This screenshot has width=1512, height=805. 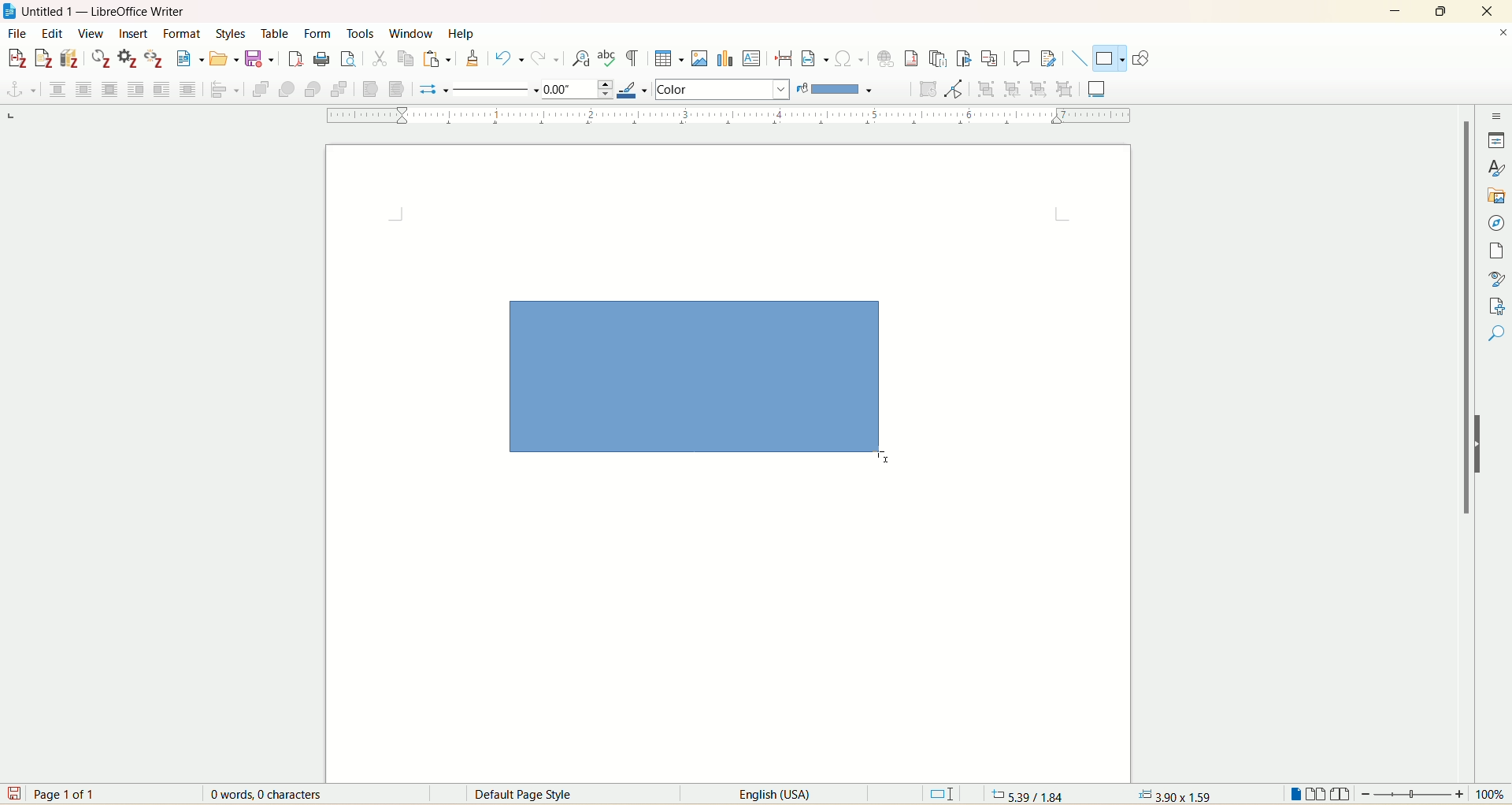 What do you see at coordinates (13, 793) in the screenshot?
I see `save` at bounding box center [13, 793].